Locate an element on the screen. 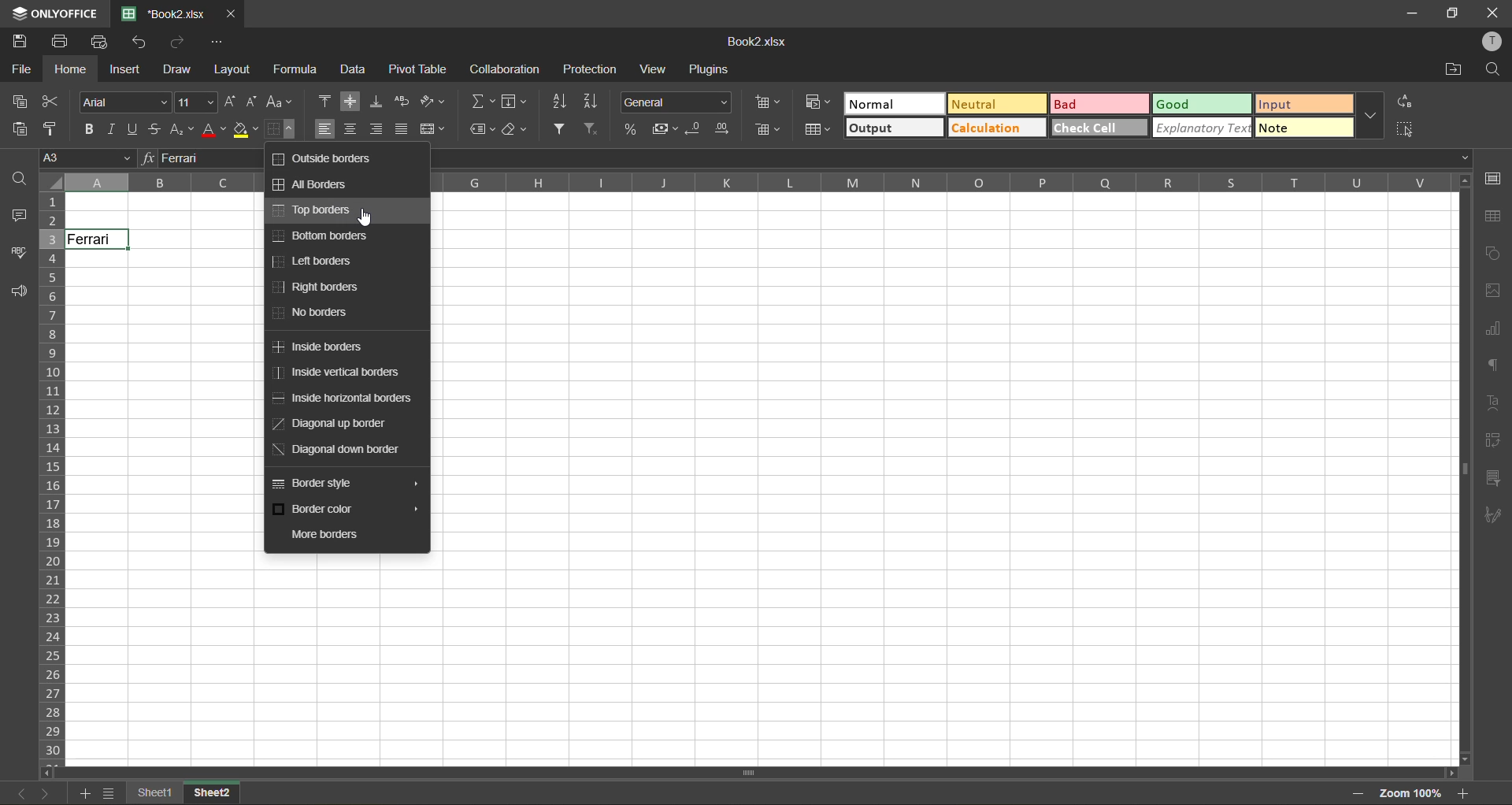 The image size is (1512, 805). draw is located at coordinates (176, 70).